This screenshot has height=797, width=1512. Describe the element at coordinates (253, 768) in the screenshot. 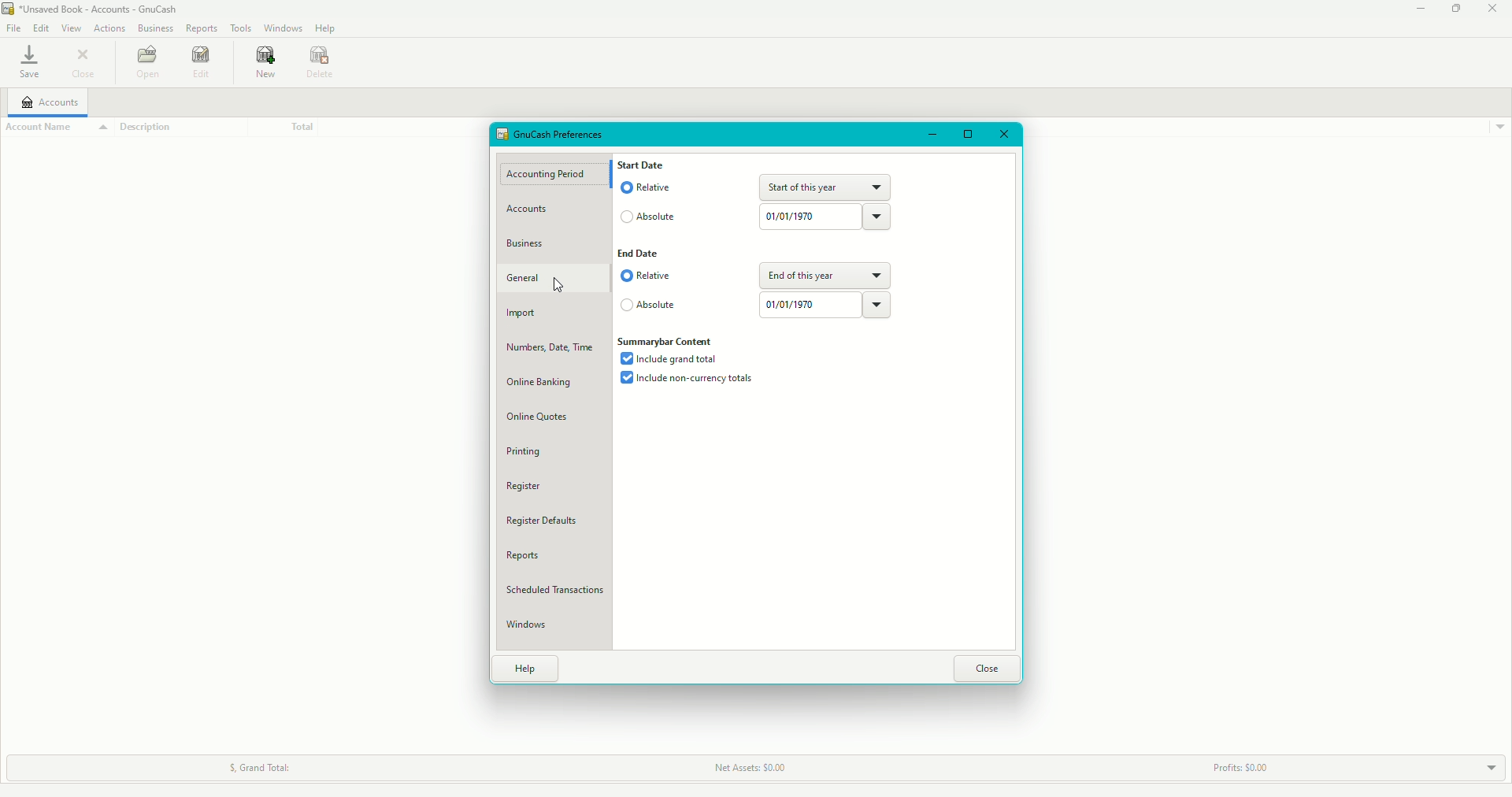

I see `Grand Total` at that location.